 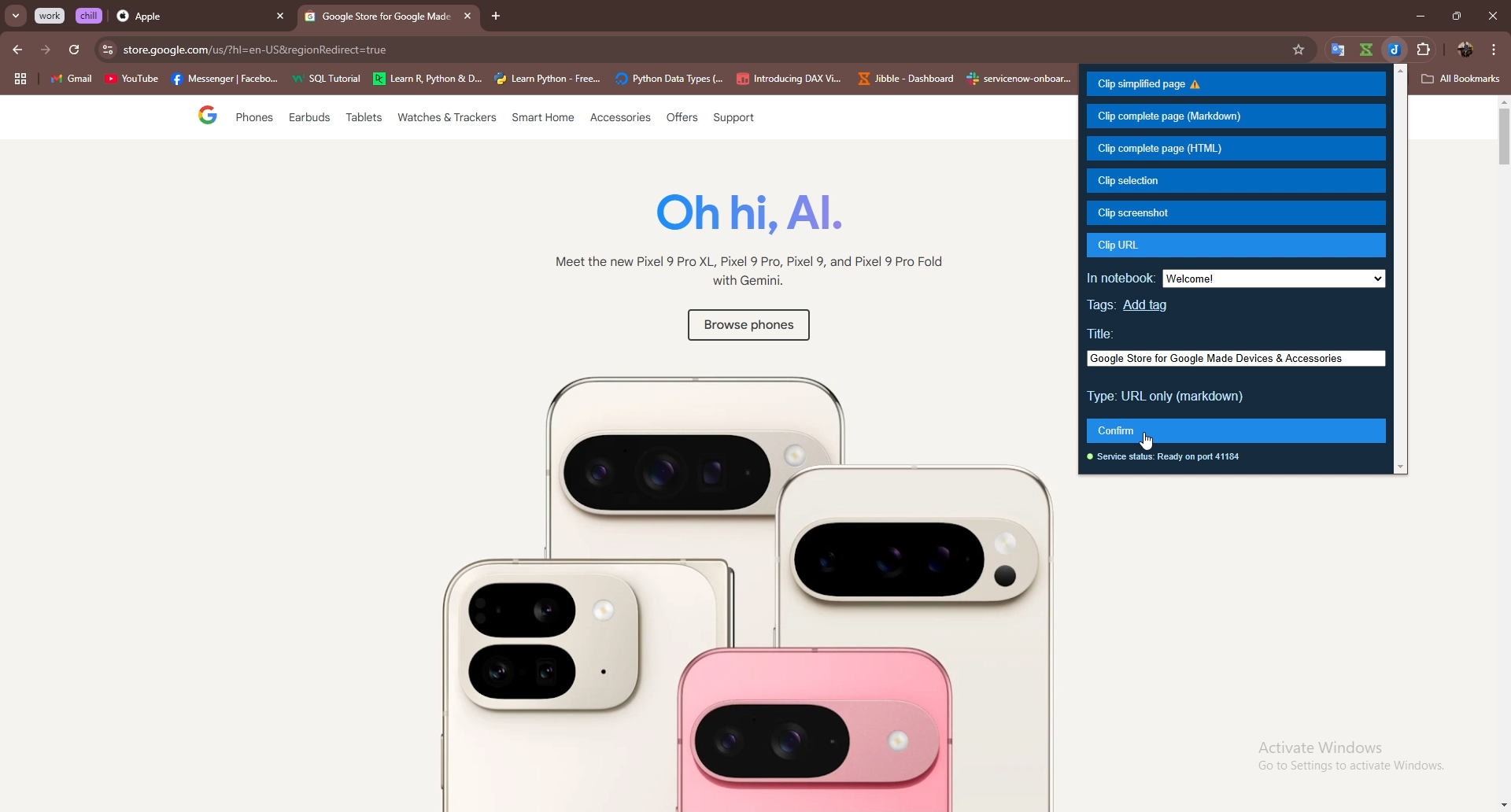 What do you see at coordinates (1462, 50) in the screenshot?
I see `profile` at bounding box center [1462, 50].